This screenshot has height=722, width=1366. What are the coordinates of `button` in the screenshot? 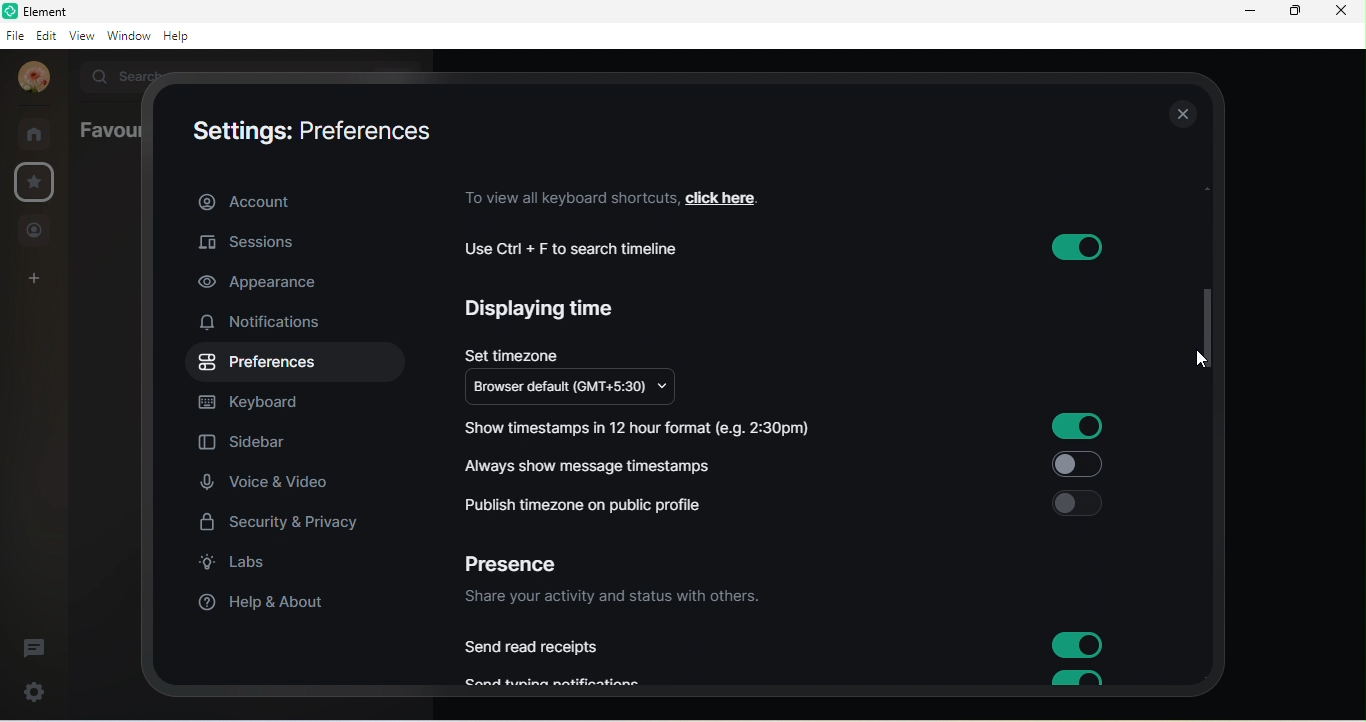 It's located at (1078, 503).